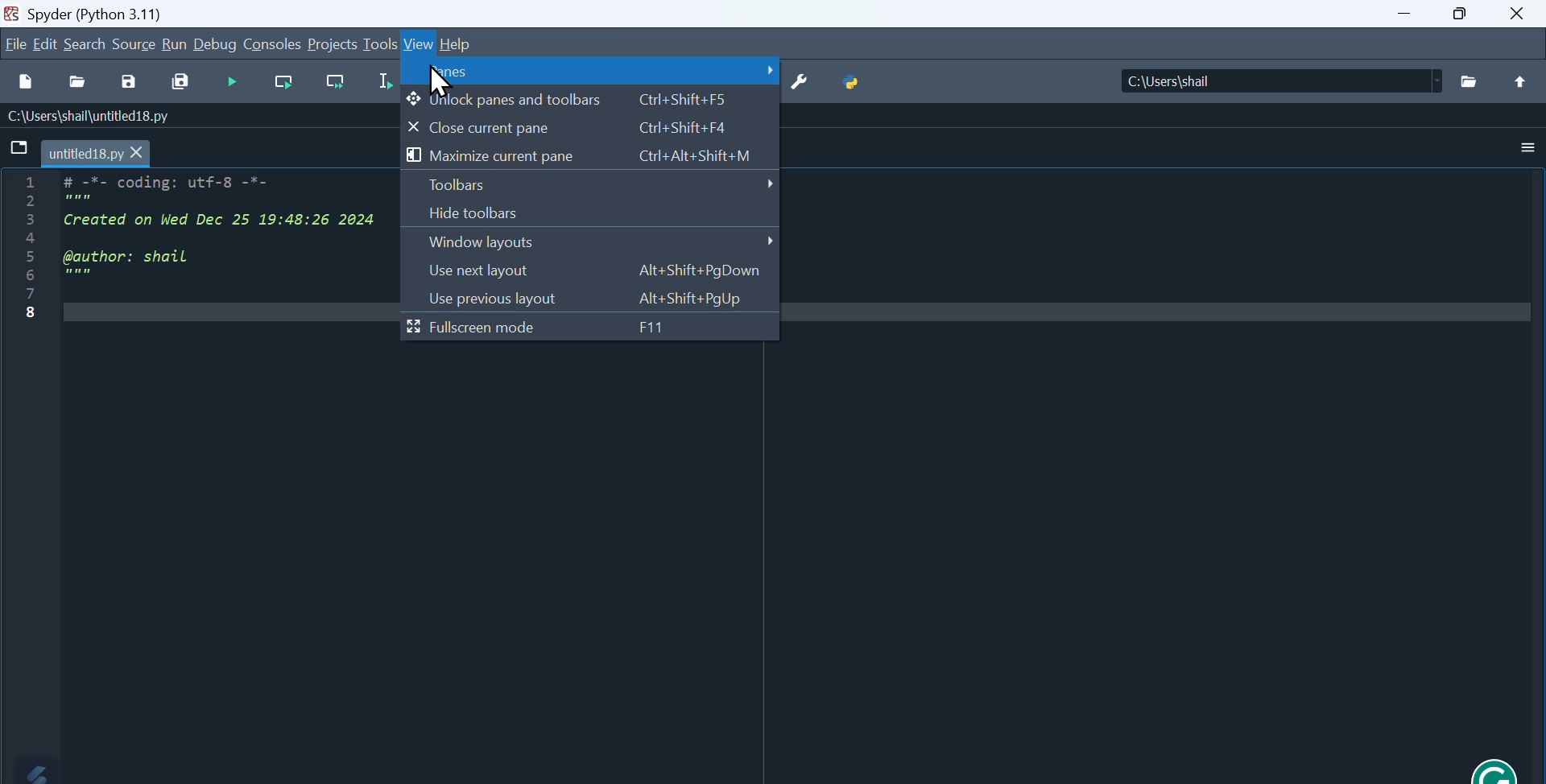 The image size is (1546, 784). Describe the element at coordinates (16, 146) in the screenshot. I see `files` at that location.